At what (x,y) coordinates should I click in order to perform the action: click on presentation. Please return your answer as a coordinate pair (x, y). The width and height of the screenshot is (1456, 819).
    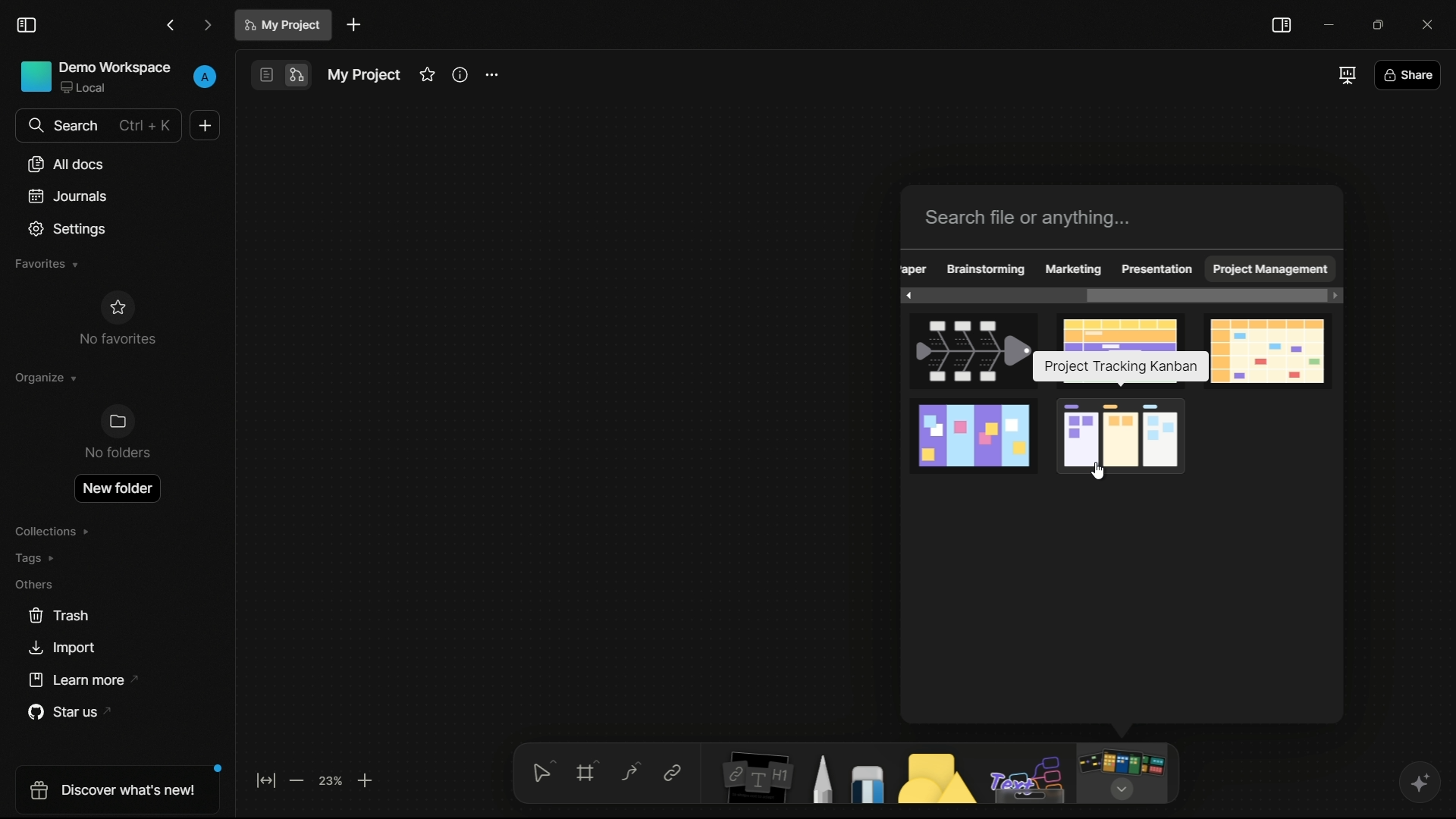
    Looking at the image, I should click on (1156, 268).